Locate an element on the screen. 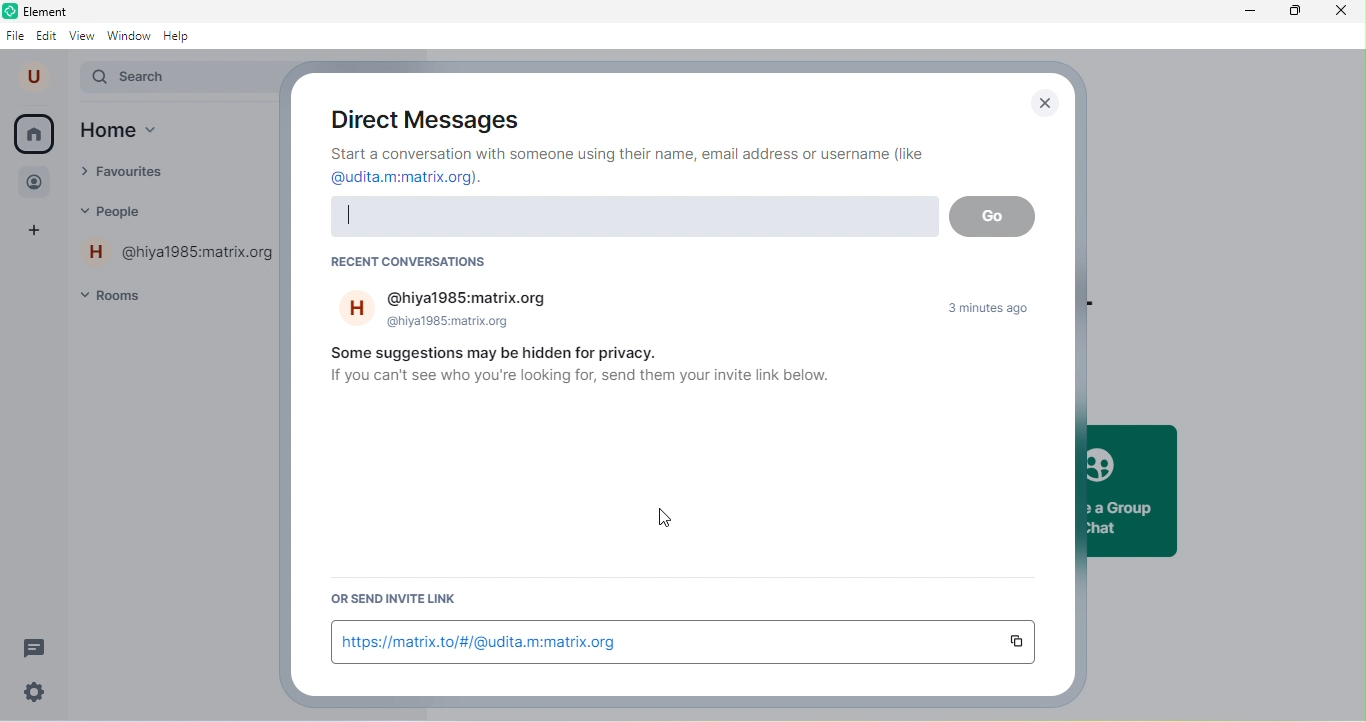 The image size is (1366, 722). minimize is located at coordinates (1240, 12).